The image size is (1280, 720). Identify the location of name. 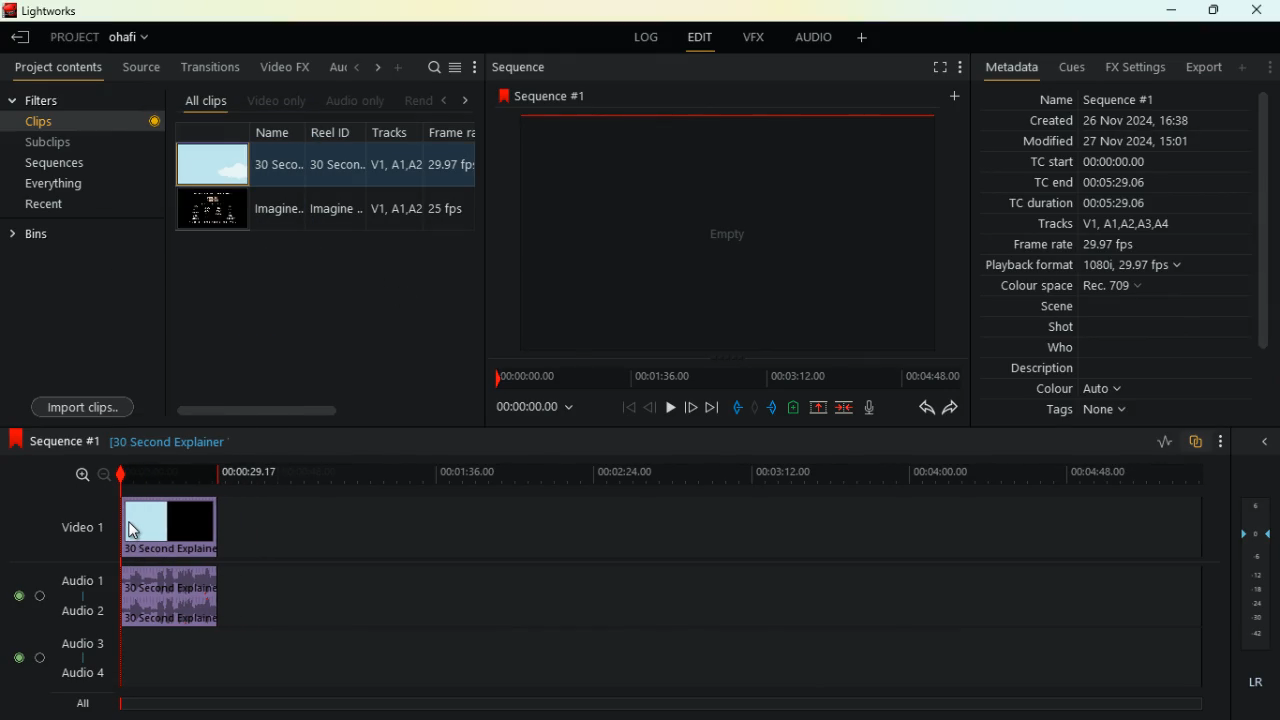
(279, 177).